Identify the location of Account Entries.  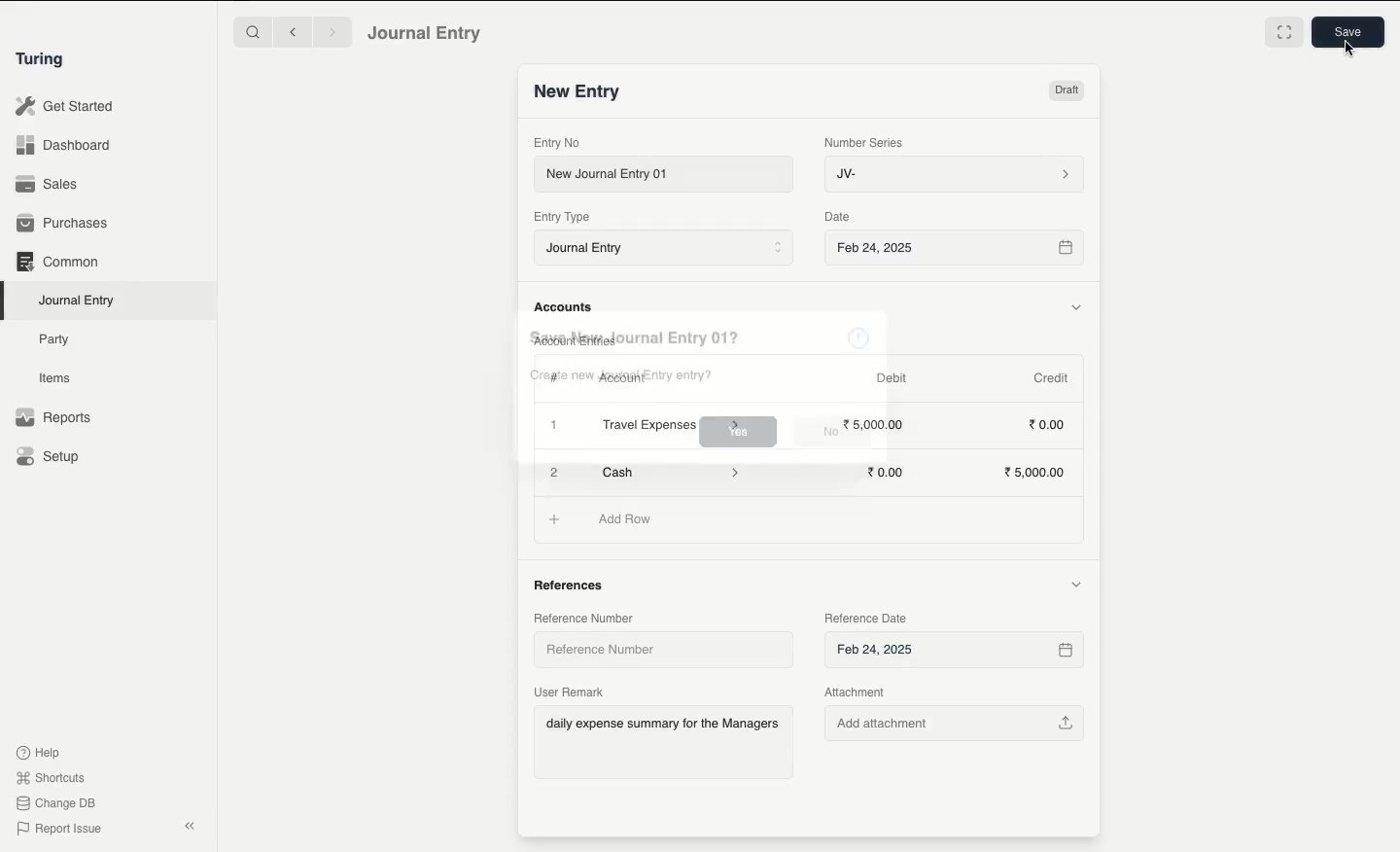
(578, 340).